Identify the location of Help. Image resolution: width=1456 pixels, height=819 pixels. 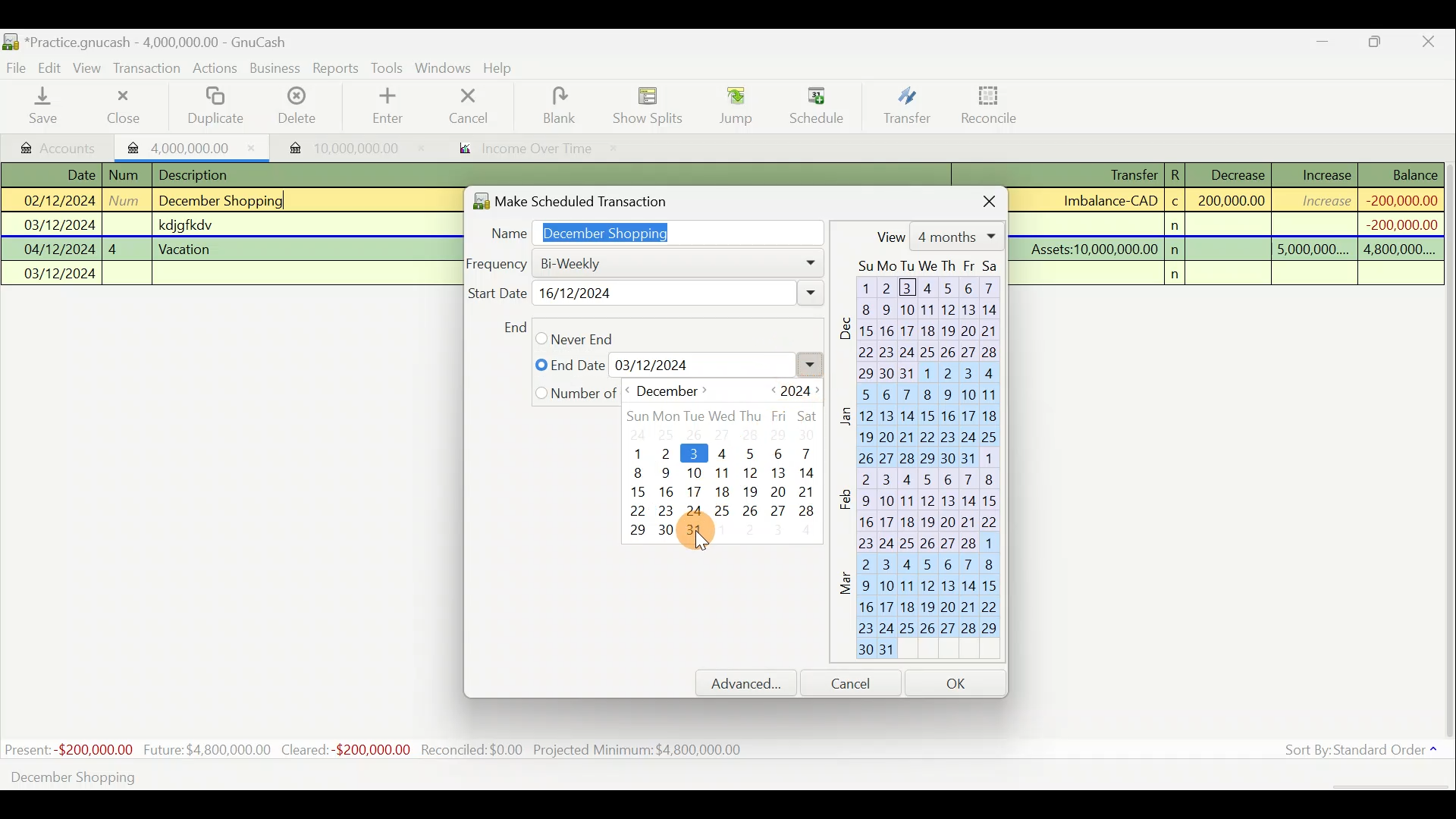
(504, 68).